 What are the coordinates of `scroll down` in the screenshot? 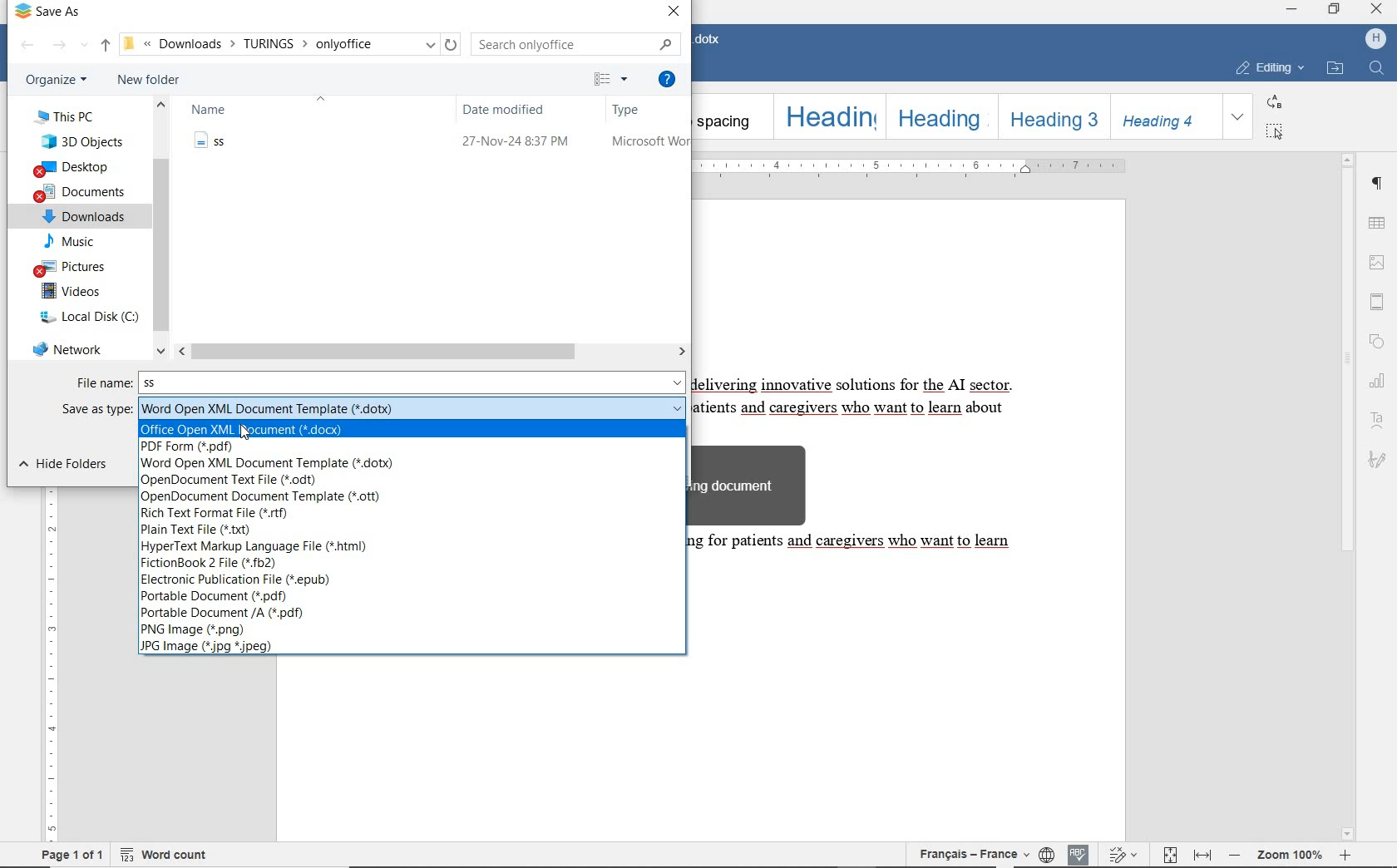 It's located at (161, 353).